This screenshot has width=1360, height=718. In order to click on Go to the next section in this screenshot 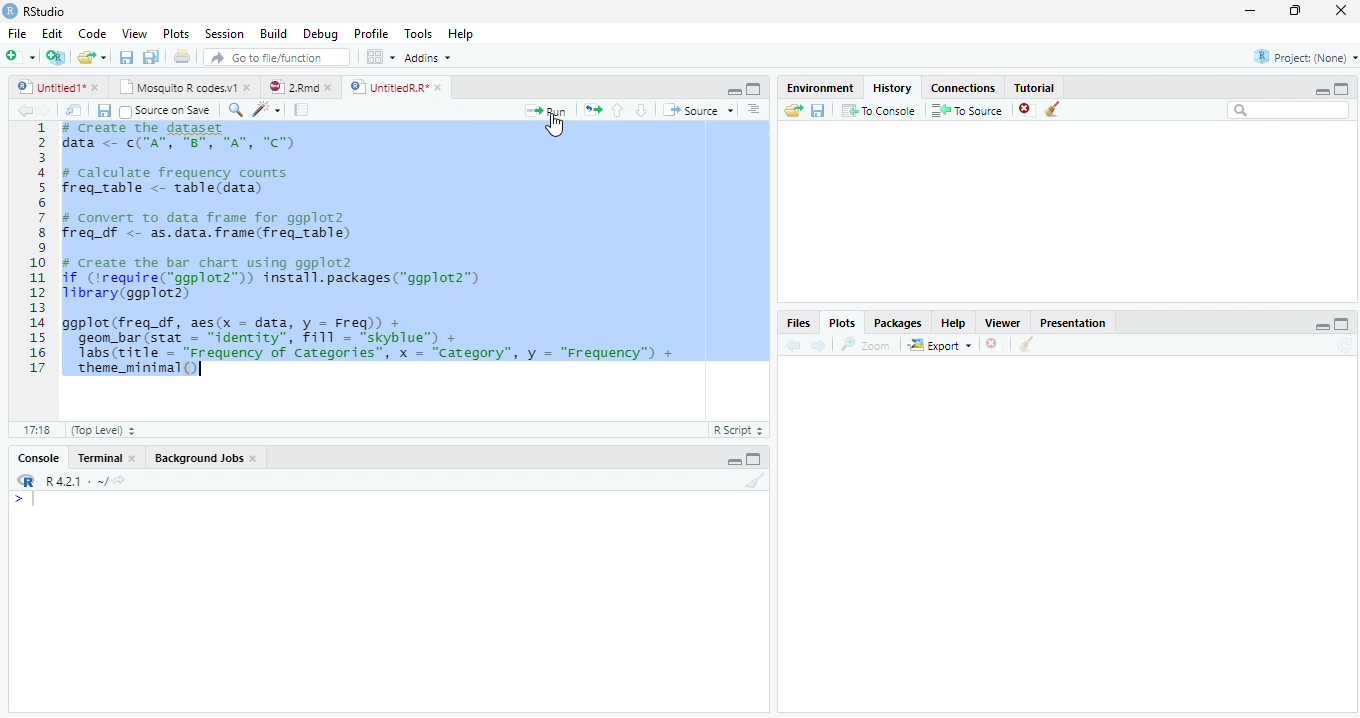, I will do `click(641, 110)`.